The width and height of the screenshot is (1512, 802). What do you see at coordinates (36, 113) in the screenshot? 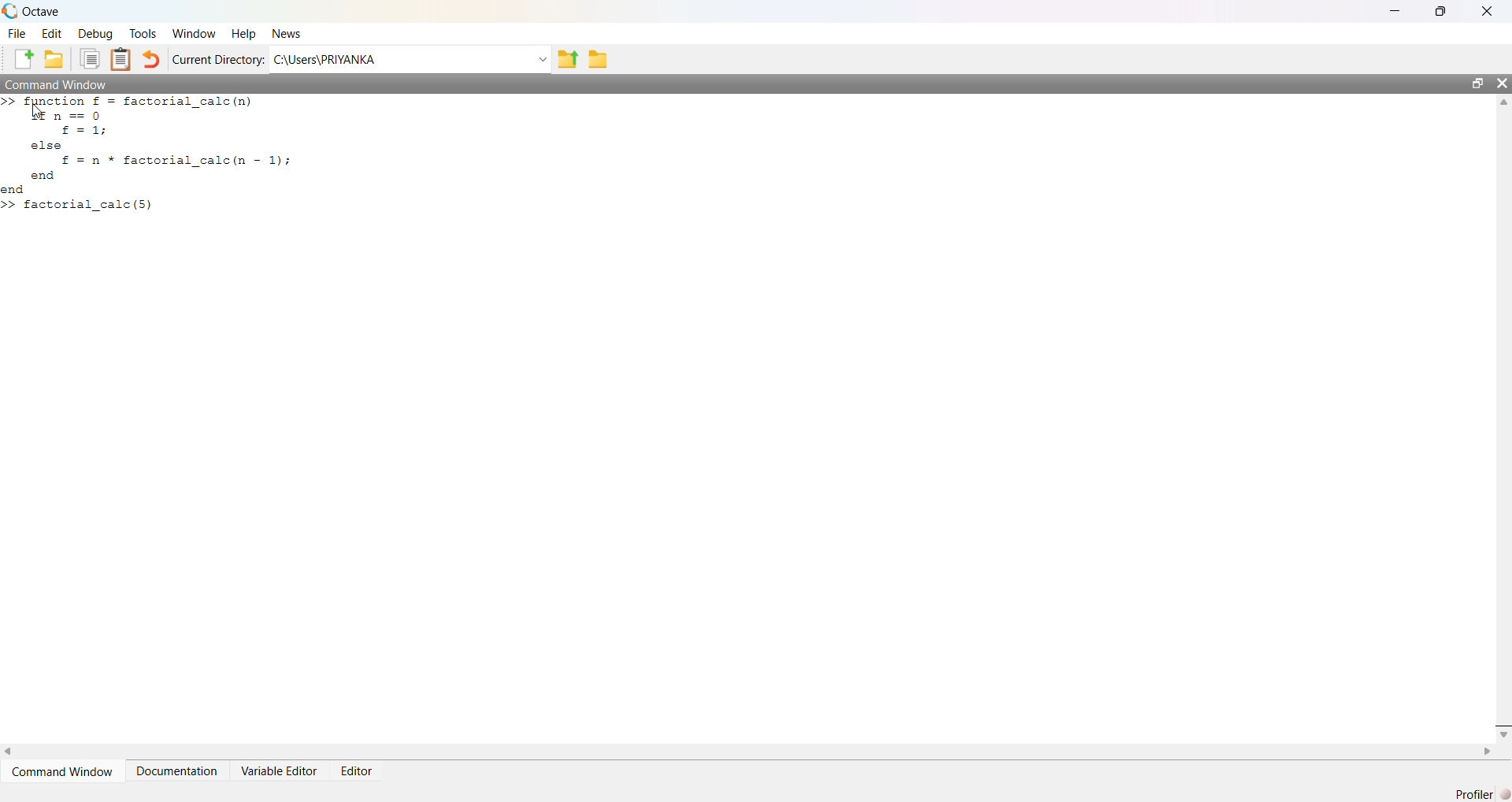
I see `cursor` at bounding box center [36, 113].